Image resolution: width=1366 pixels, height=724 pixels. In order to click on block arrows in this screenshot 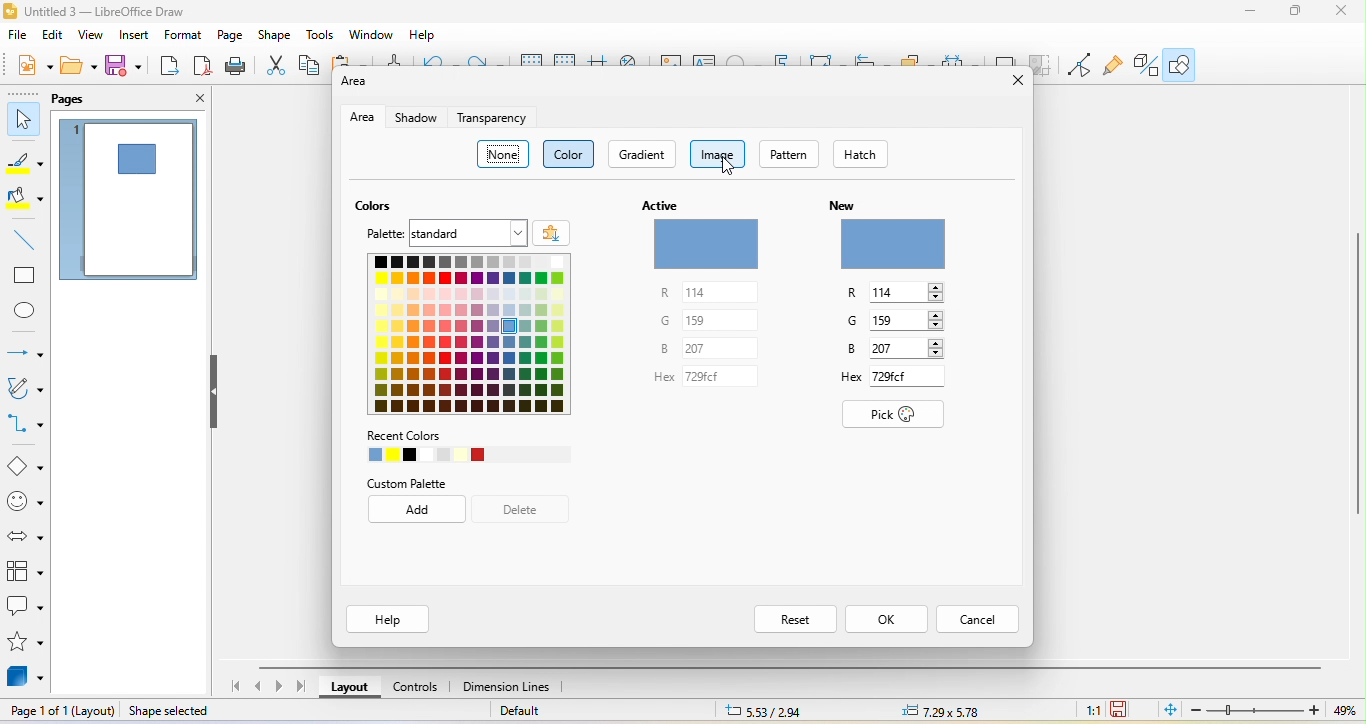, I will do `click(24, 531)`.